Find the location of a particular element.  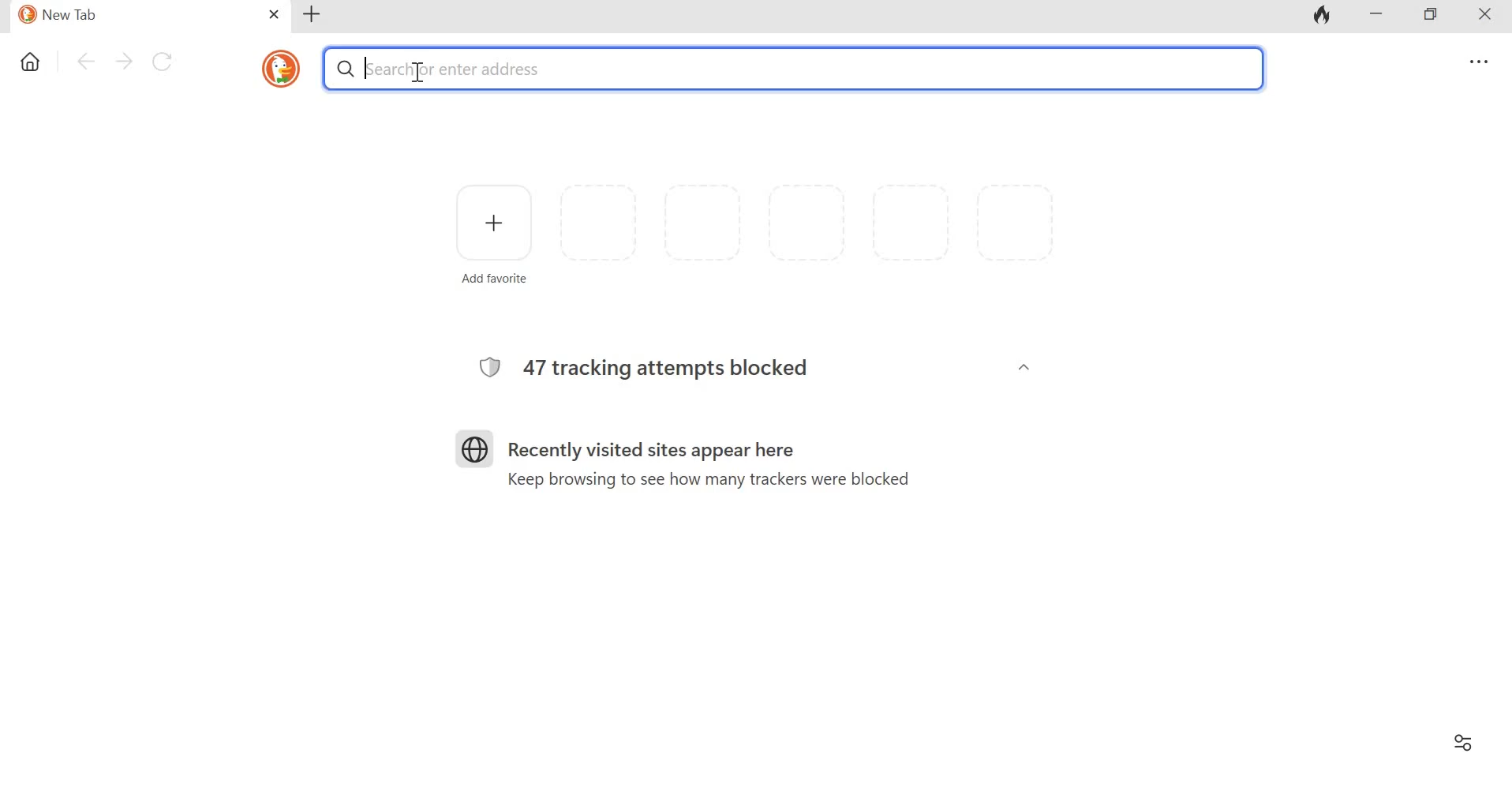

close tab is located at coordinates (275, 14).